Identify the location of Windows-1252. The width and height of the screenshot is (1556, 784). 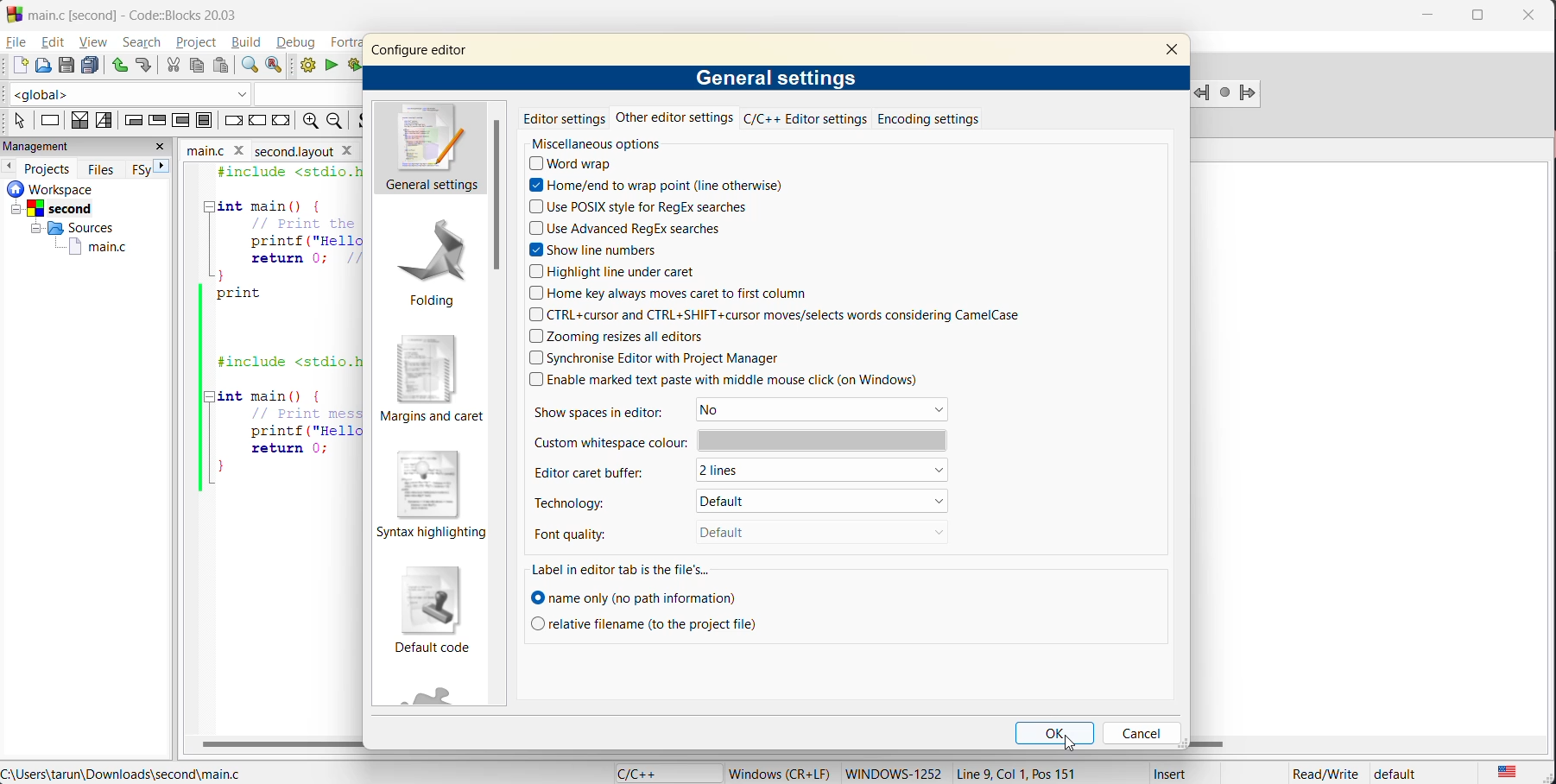
(893, 772).